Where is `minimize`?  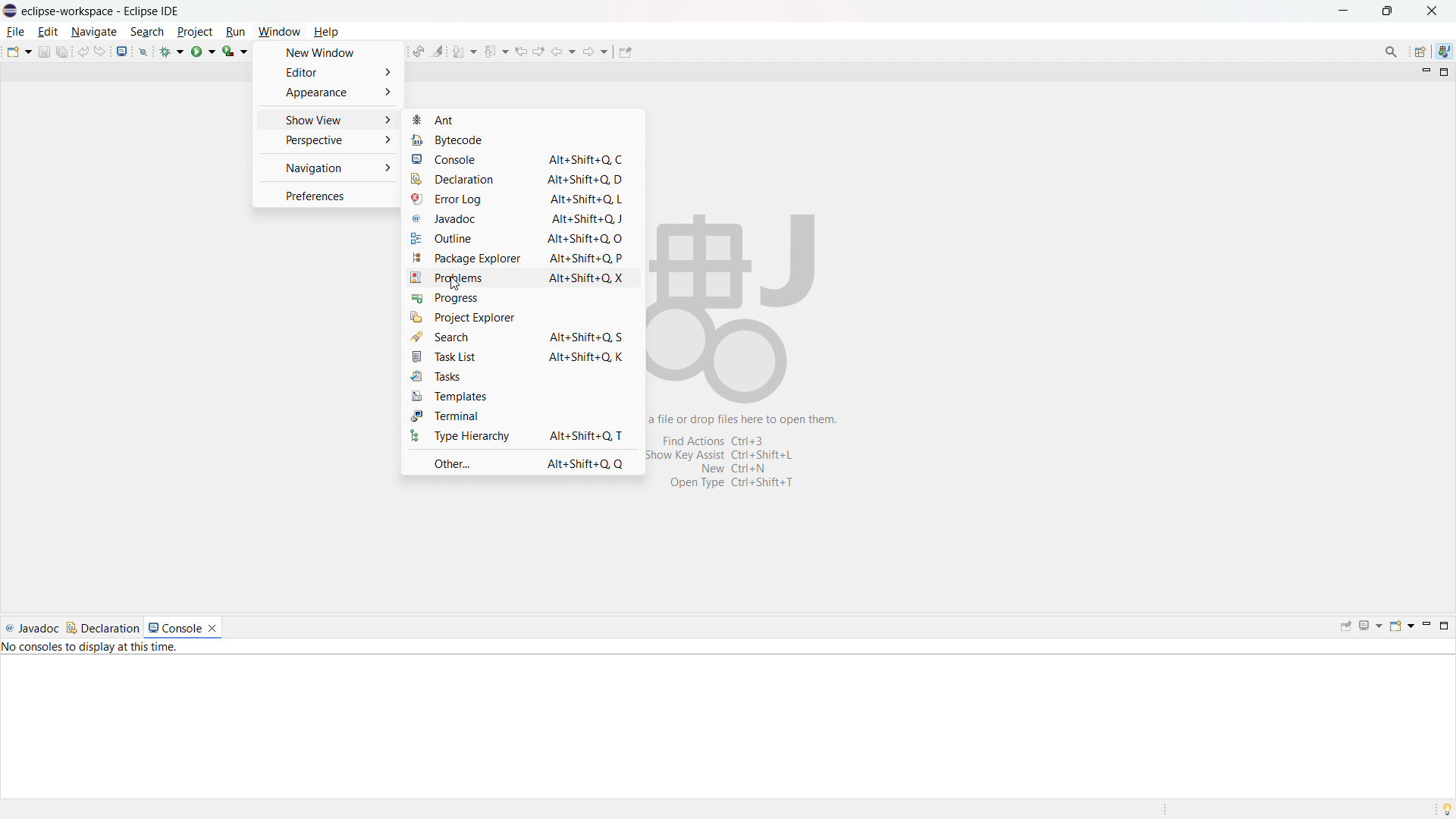 minimize is located at coordinates (1345, 11).